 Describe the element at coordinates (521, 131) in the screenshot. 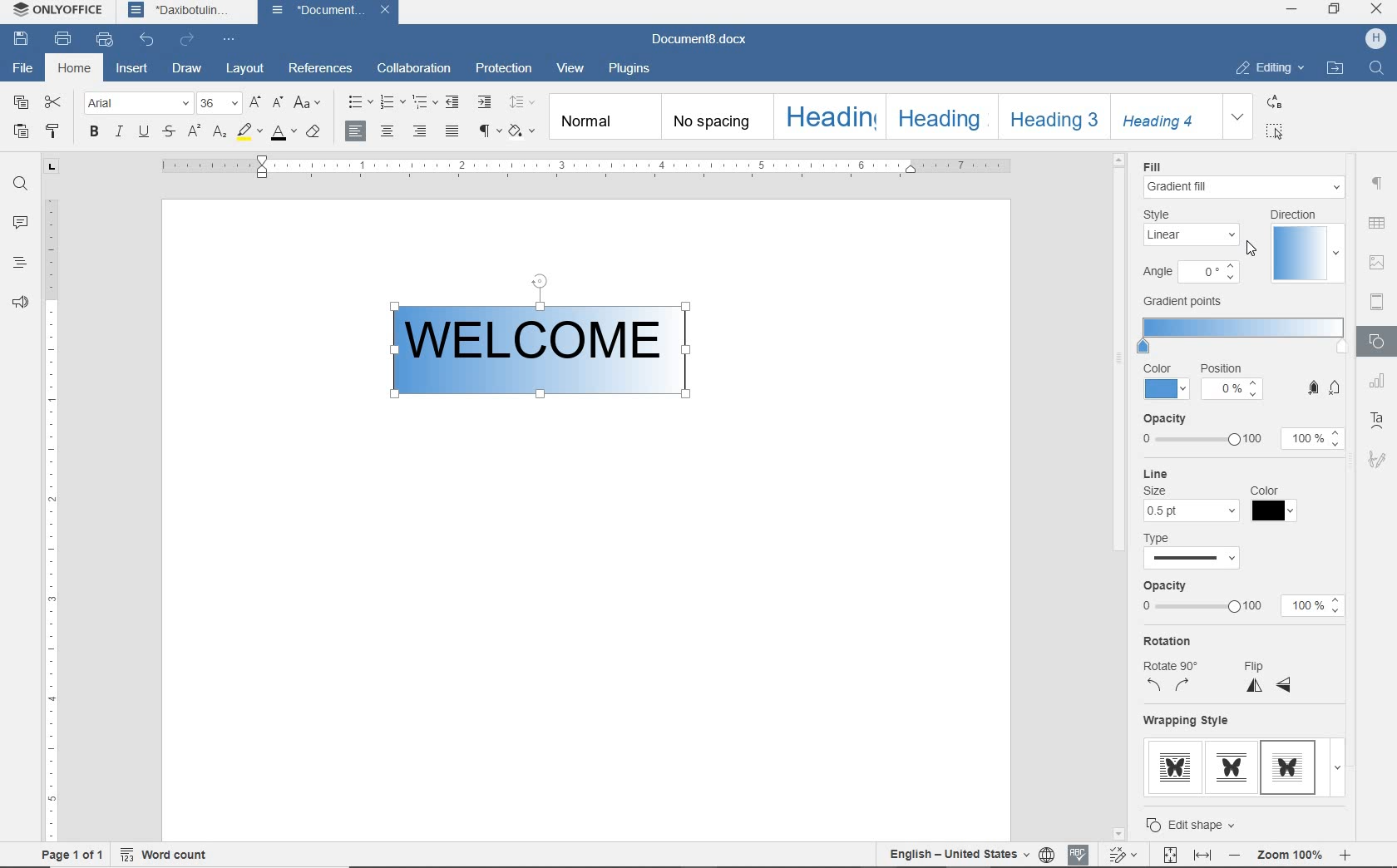

I see `CLEAR STYLE` at that location.